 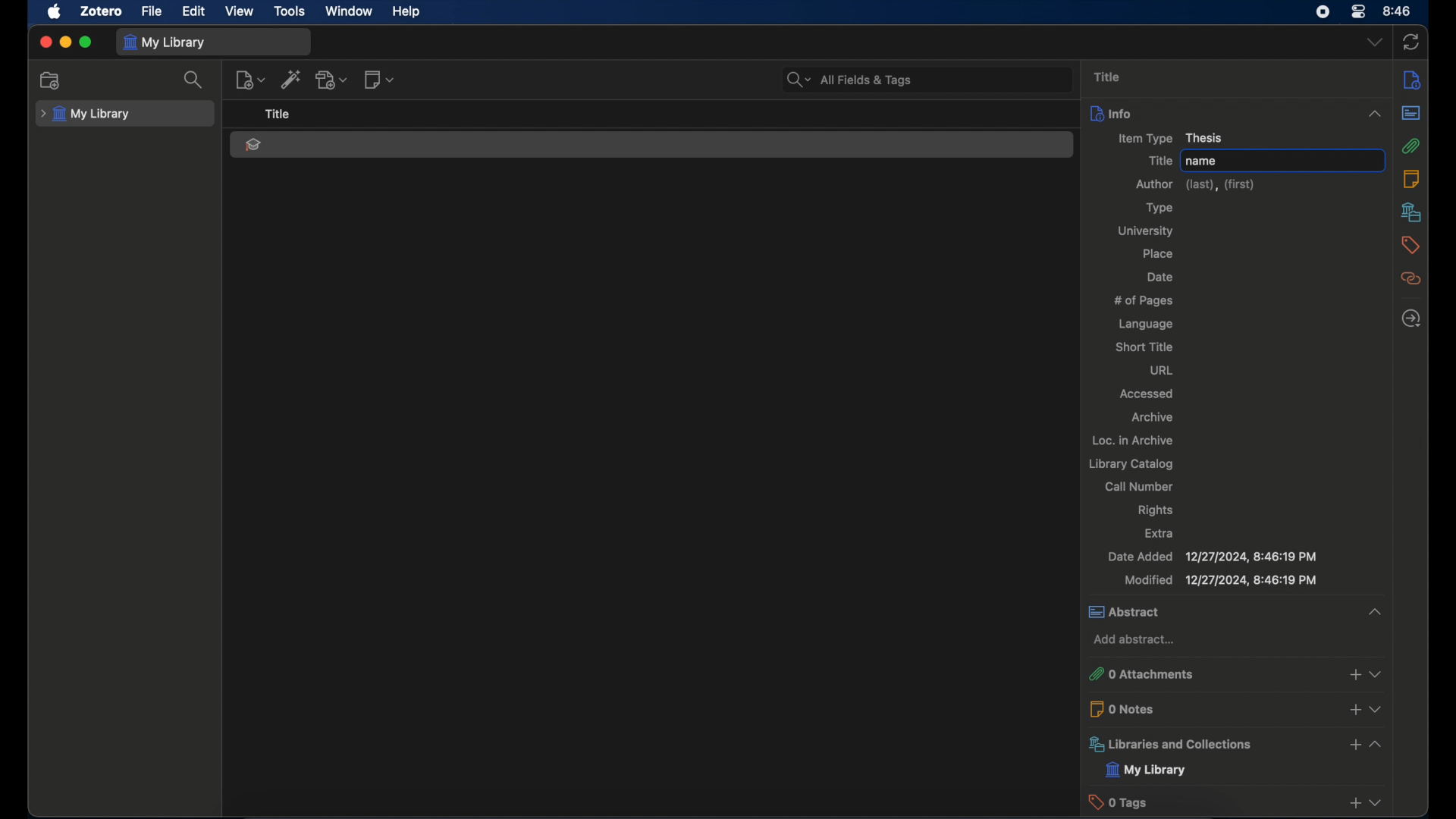 What do you see at coordinates (1160, 277) in the screenshot?
I see `date` at bounding box center [1160, 277].